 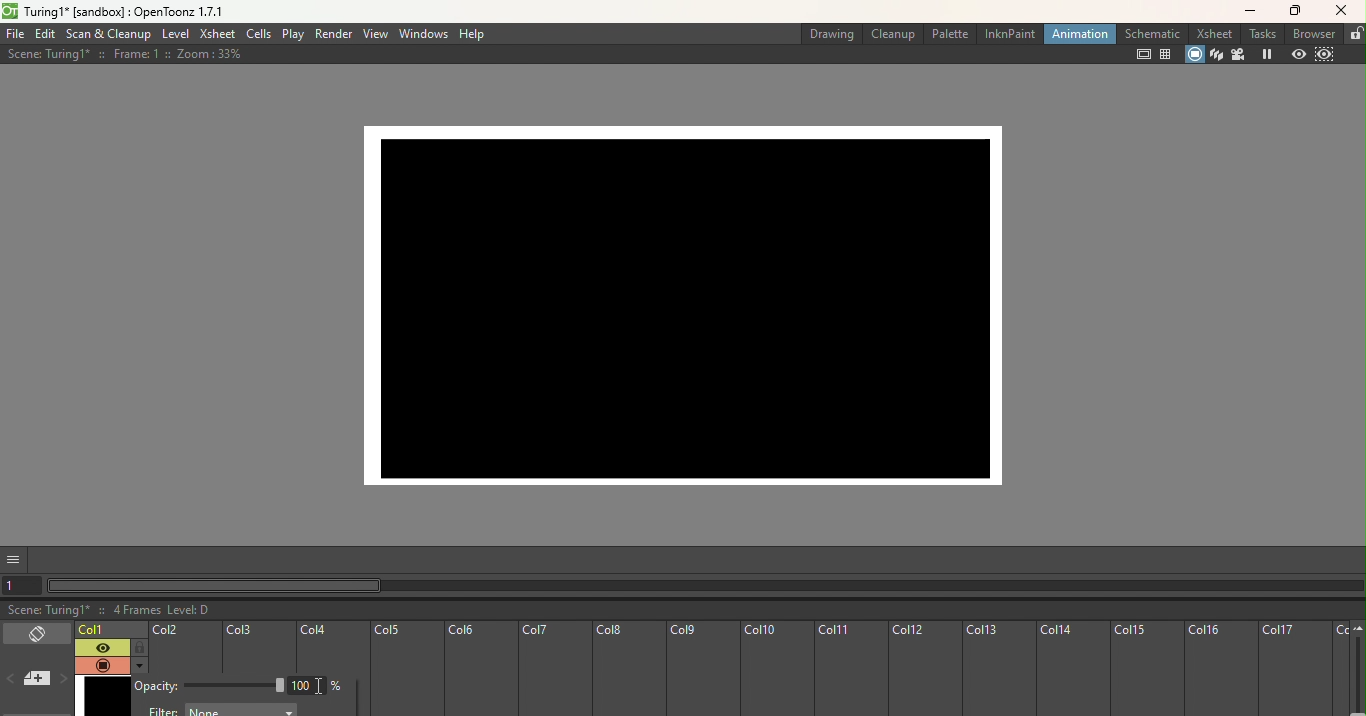 I want to click on InknPaint, so click(x=1008, y=33).